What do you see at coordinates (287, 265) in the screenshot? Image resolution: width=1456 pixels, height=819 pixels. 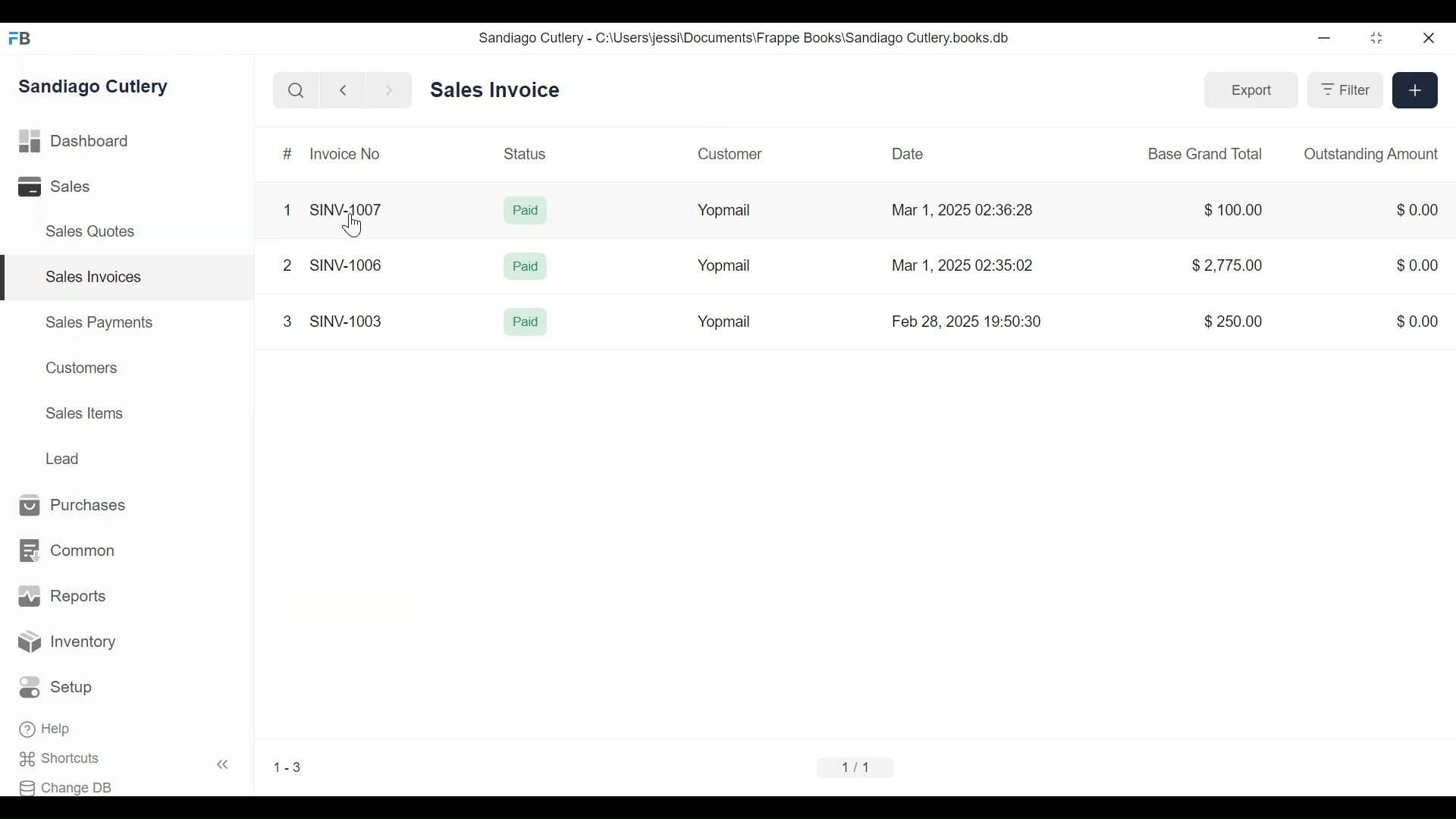 I see `2` at bounding box center [287, 265].